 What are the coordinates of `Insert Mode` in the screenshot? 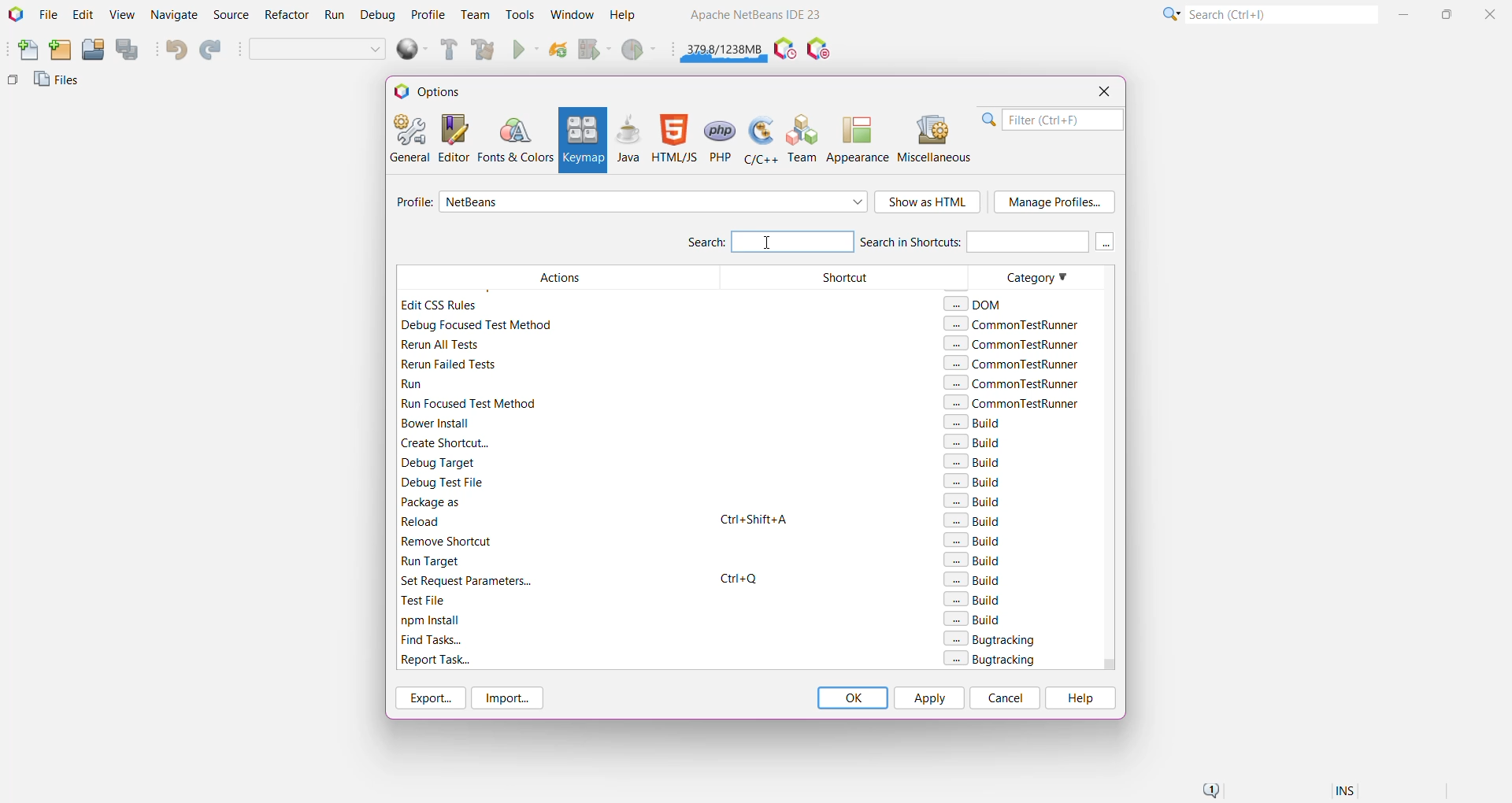 It's located at (1347, 793).